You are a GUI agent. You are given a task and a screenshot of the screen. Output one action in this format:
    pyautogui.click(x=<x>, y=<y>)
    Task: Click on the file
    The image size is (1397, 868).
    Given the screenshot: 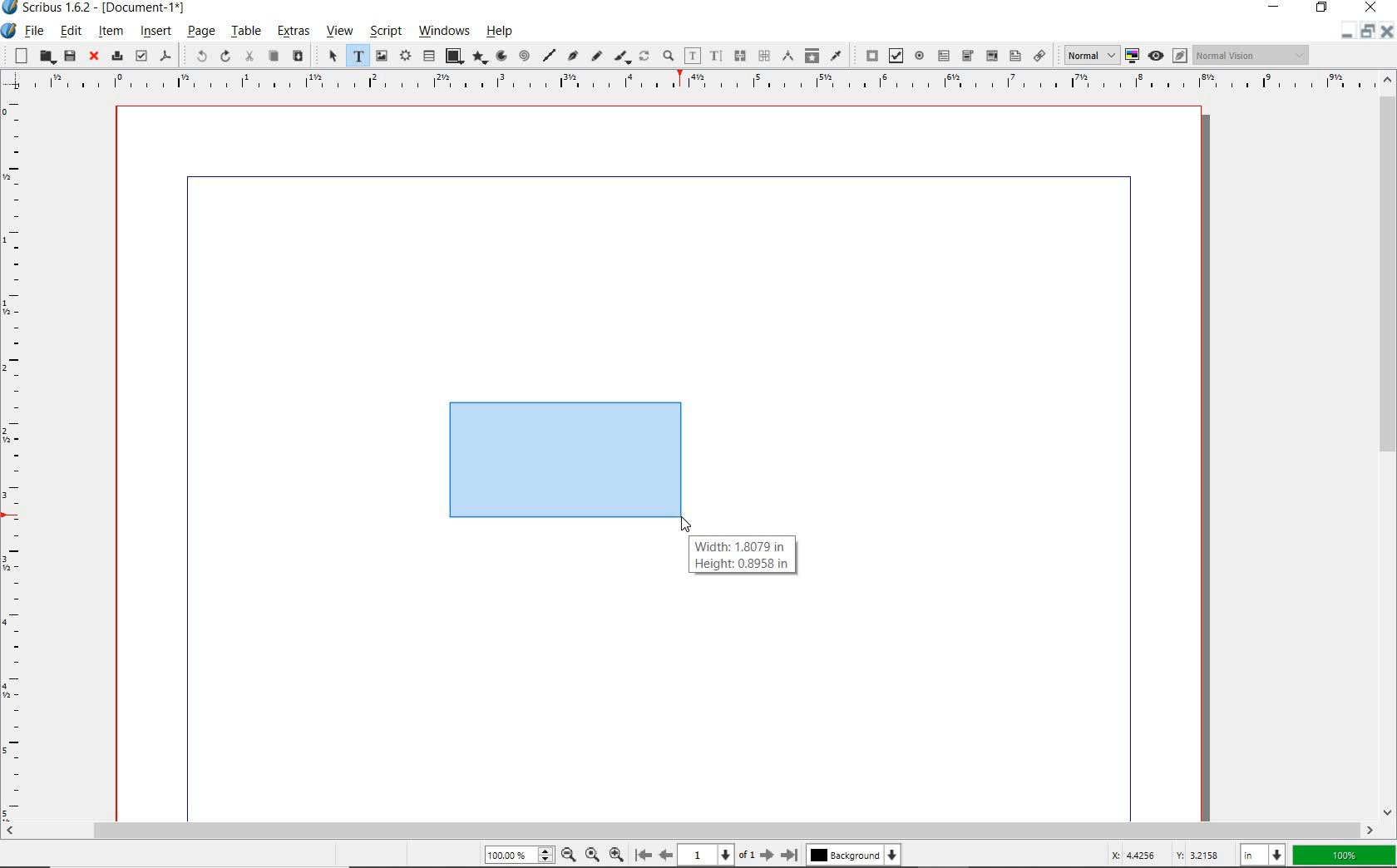 What is the action you would take?
    pyautogui.click(x=34, y=31)
    